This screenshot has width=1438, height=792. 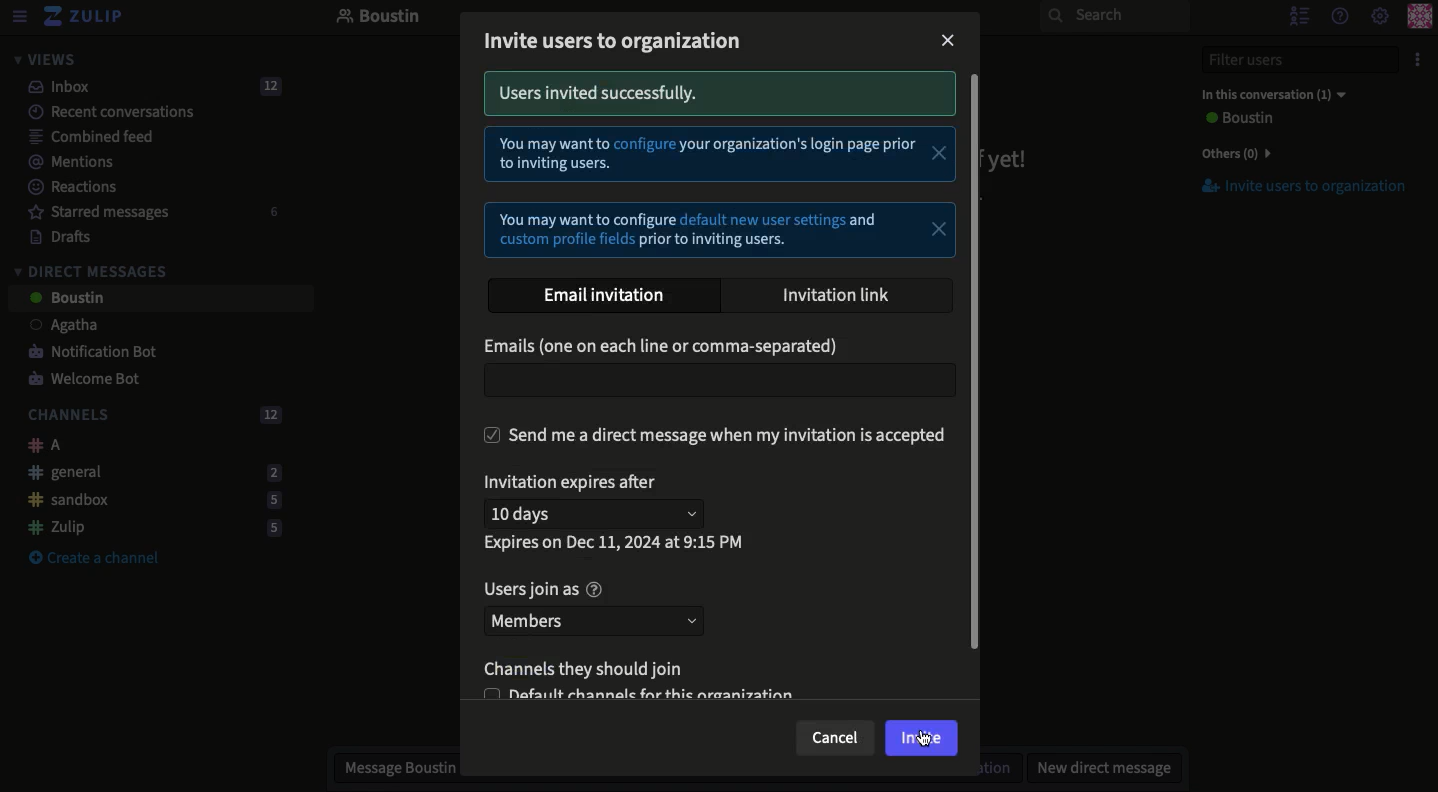 What do you see at coordinates (147, 501) in the screenshot?
I see `Sandbox` at bounding box center [147, 501].